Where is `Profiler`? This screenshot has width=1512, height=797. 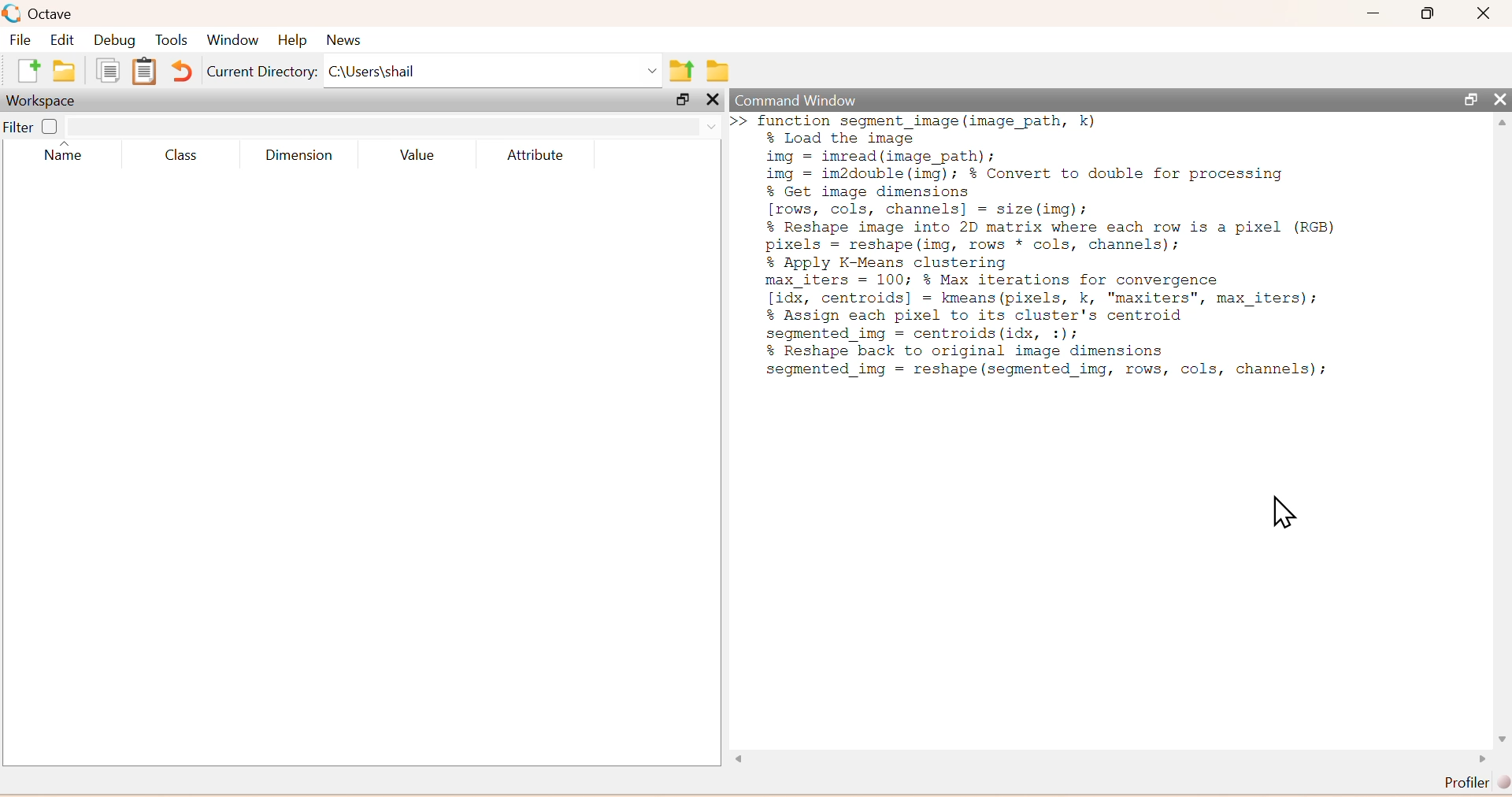
Profiler is located at coordinates (1473, 783).